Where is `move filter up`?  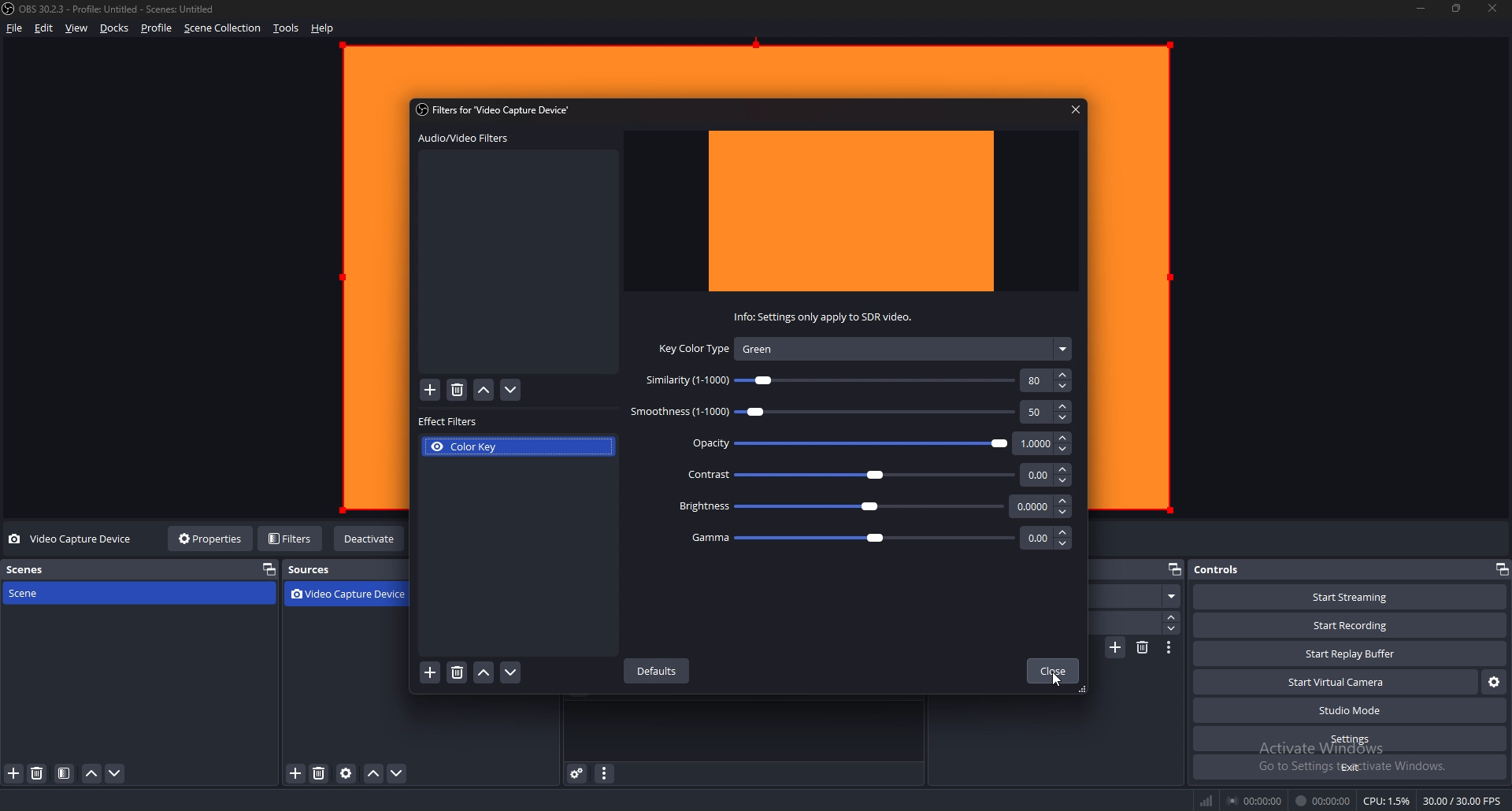 move filter up is located at coordinates (484, 673).